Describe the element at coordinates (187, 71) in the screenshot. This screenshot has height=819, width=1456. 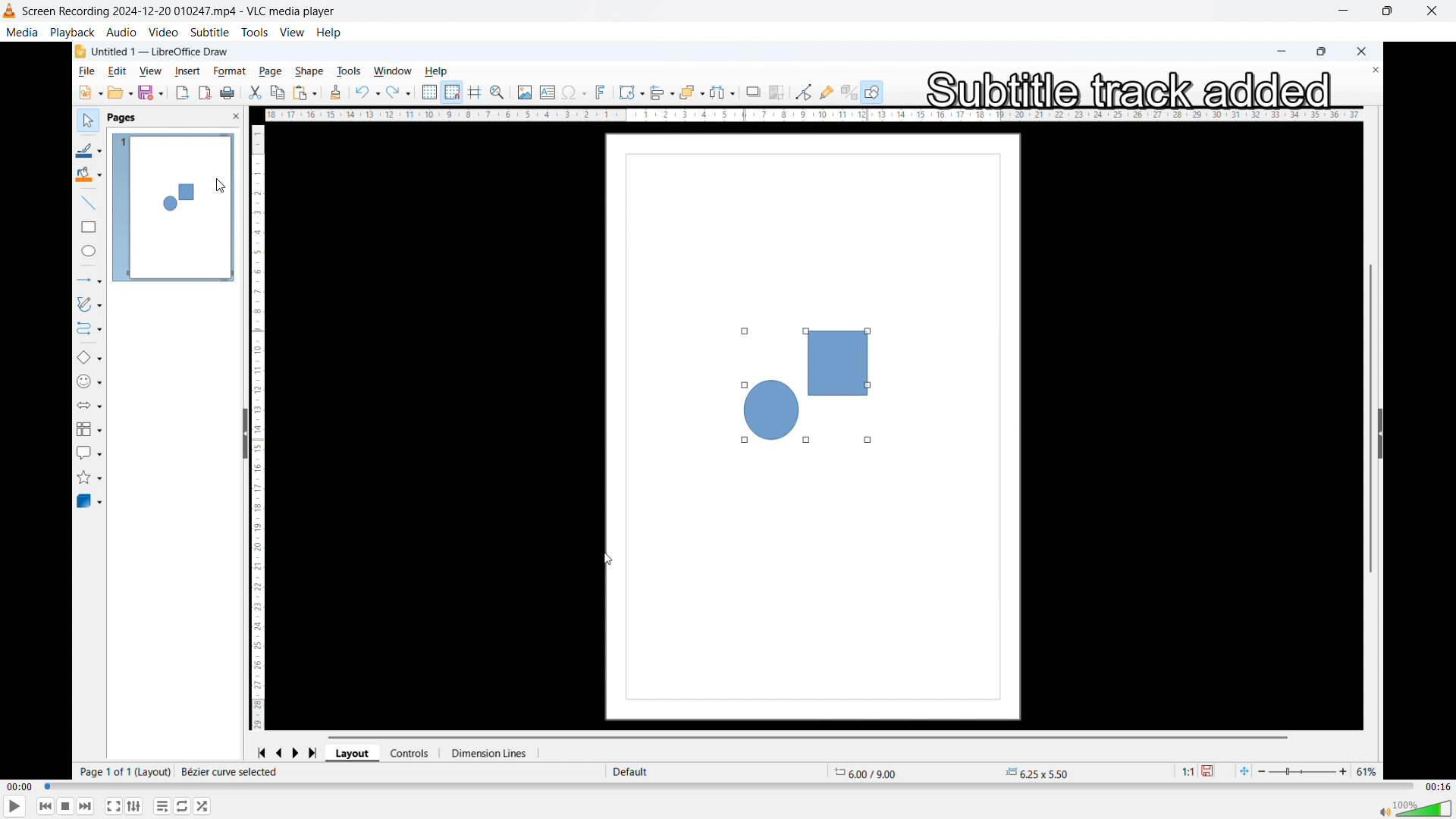
I see `insert` at that location.